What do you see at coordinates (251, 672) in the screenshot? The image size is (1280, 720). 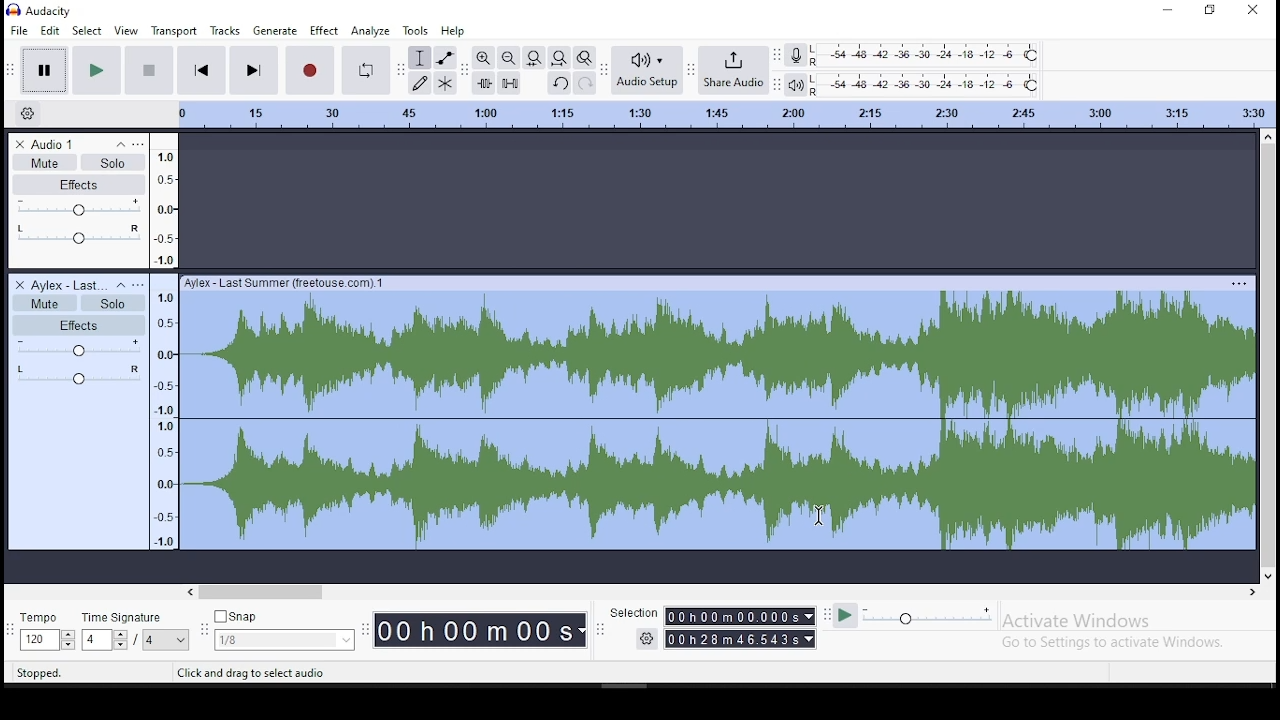 I see `Click and drag to select audio` at bounding box center [251, 672].